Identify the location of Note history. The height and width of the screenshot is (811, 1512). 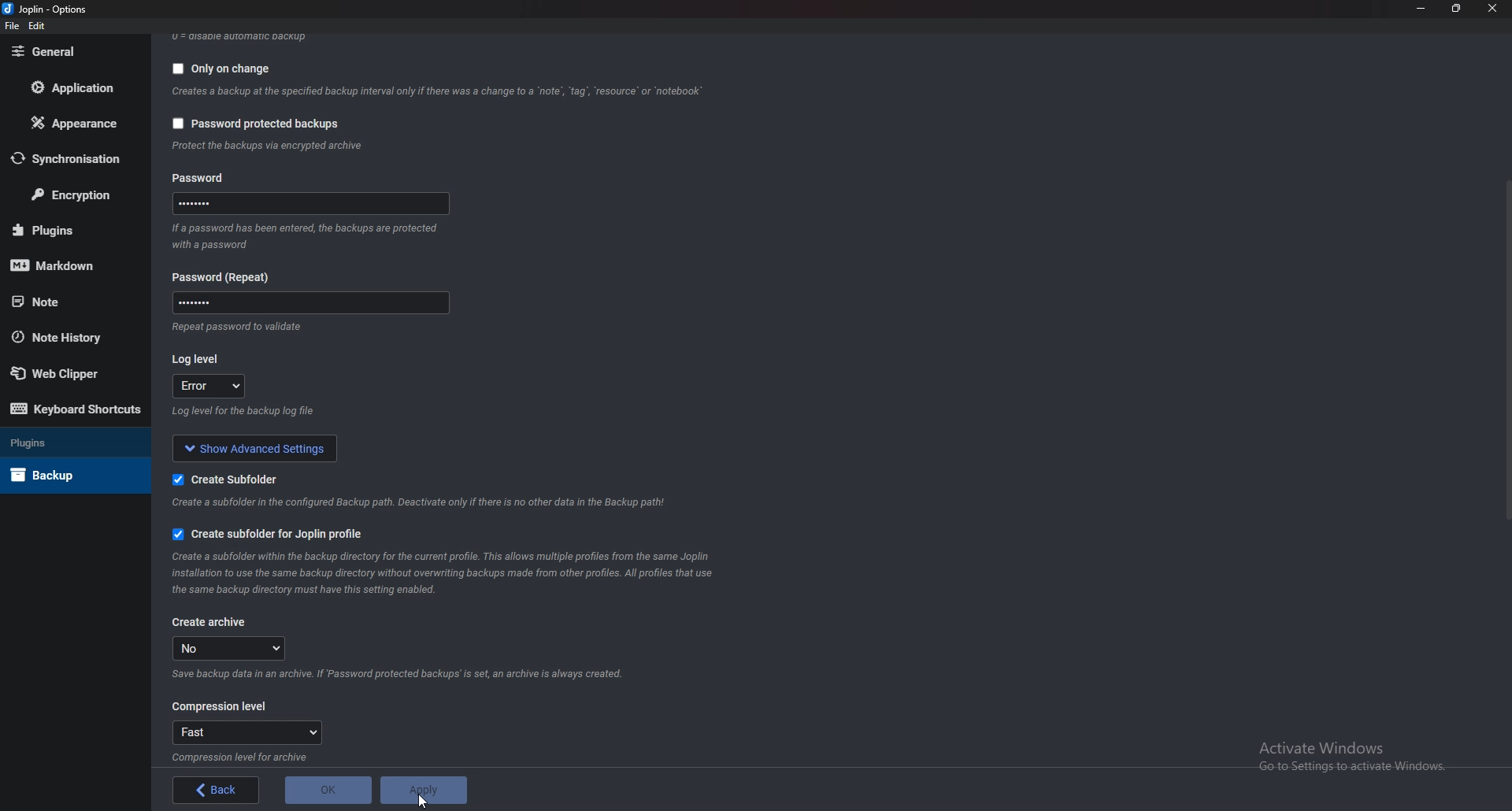
(64, 336).